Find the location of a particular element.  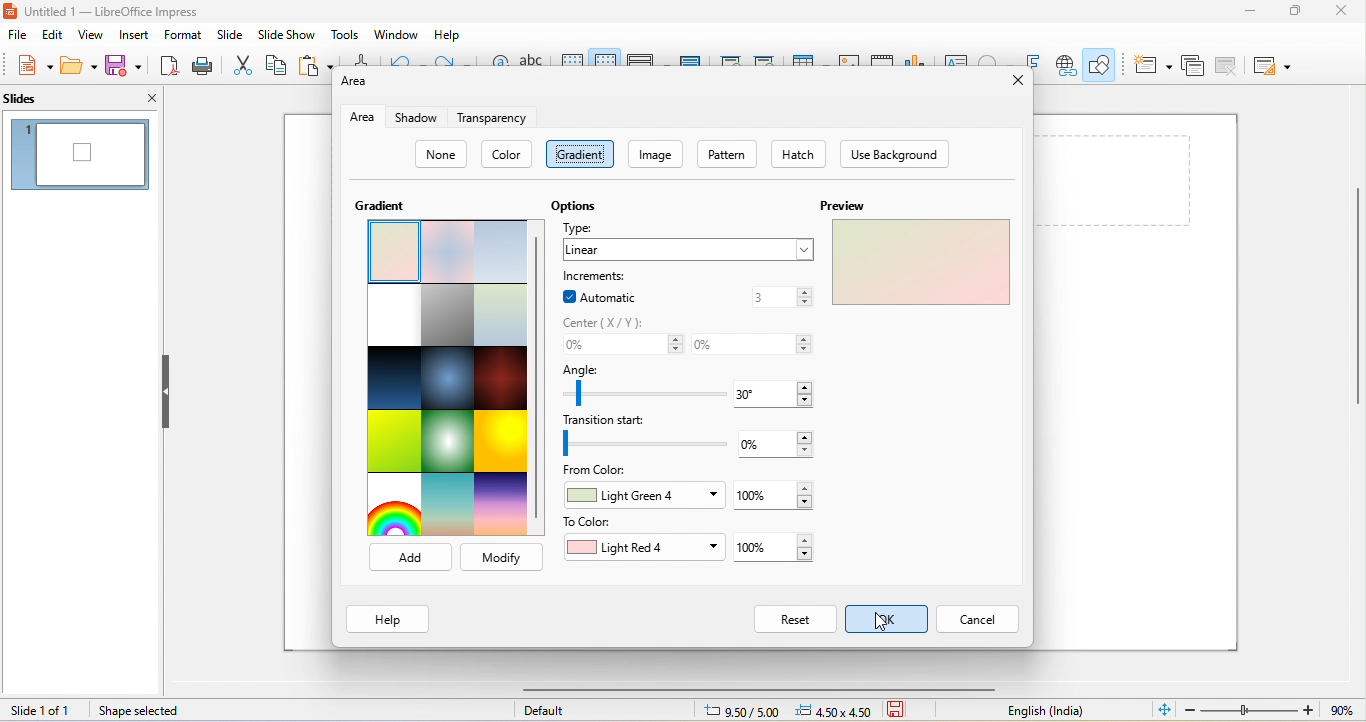

zoom is located at coordinates (1274, 709).